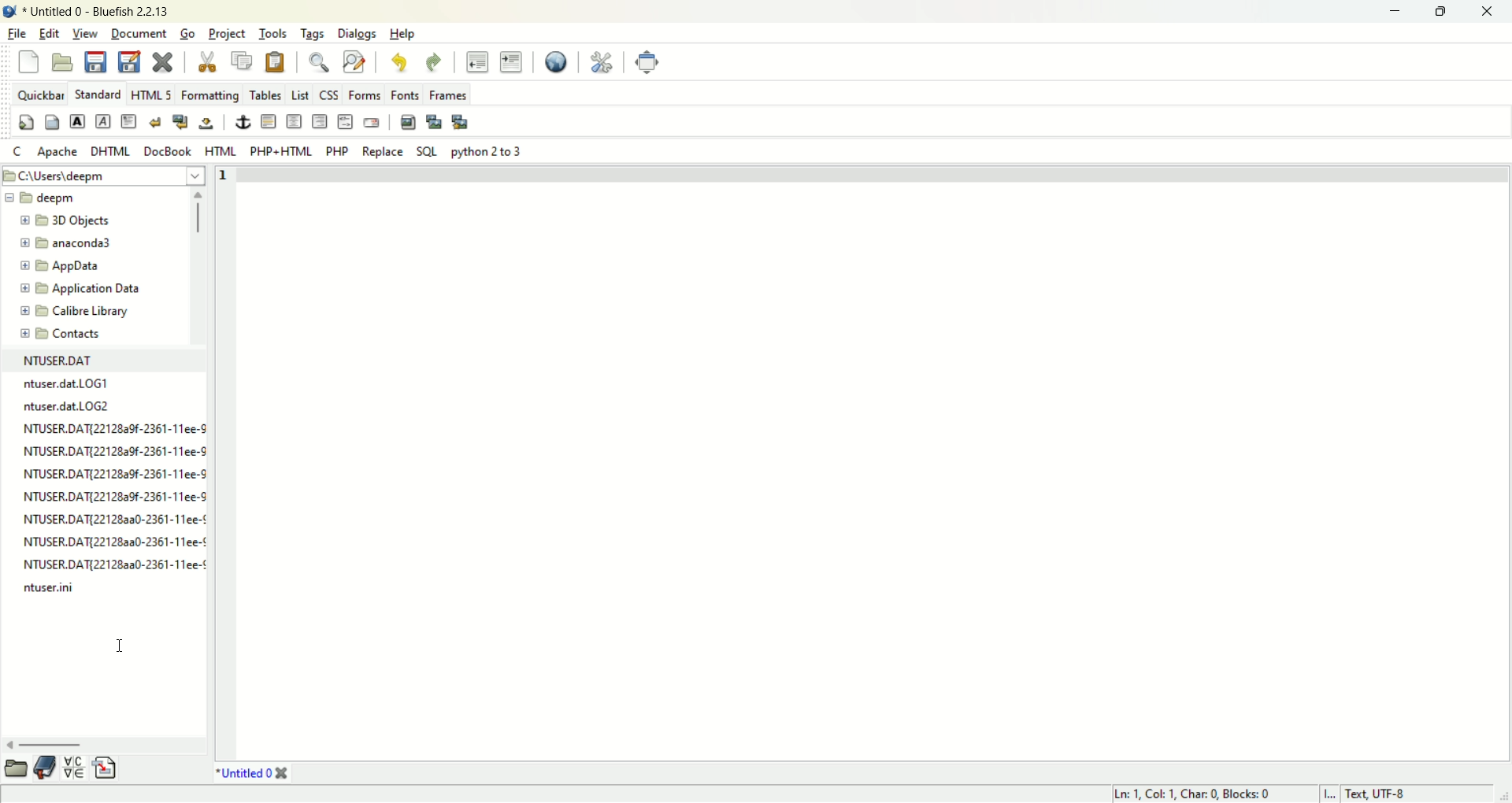 The height and width of the screenshot is (803, 1512). I want to click on line number, so click(225, 460).